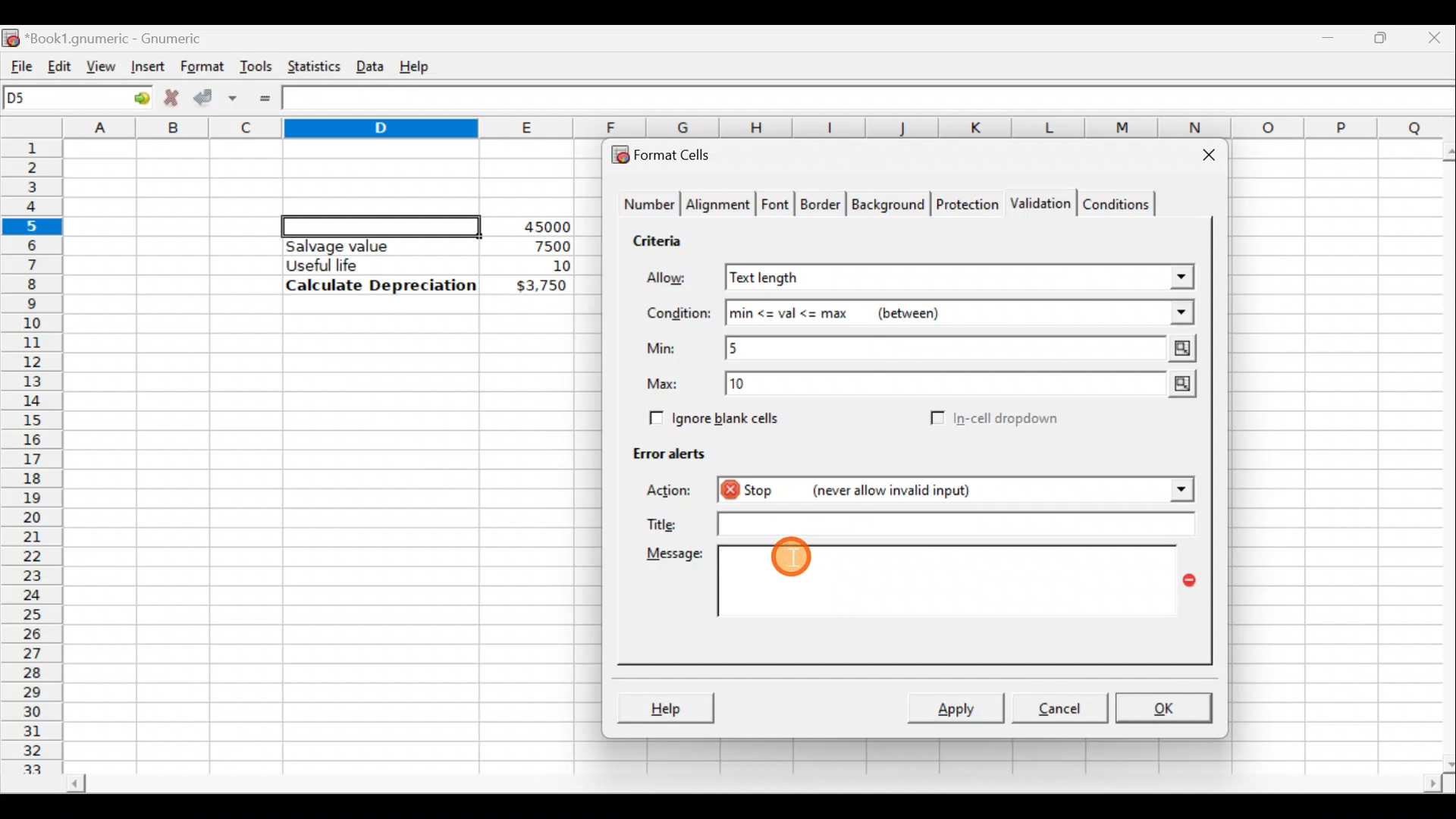 This screenshot has height=819, width=1456. Describe the element at coordinates (664, 348) in the screenshot. I see `Min` at that location.